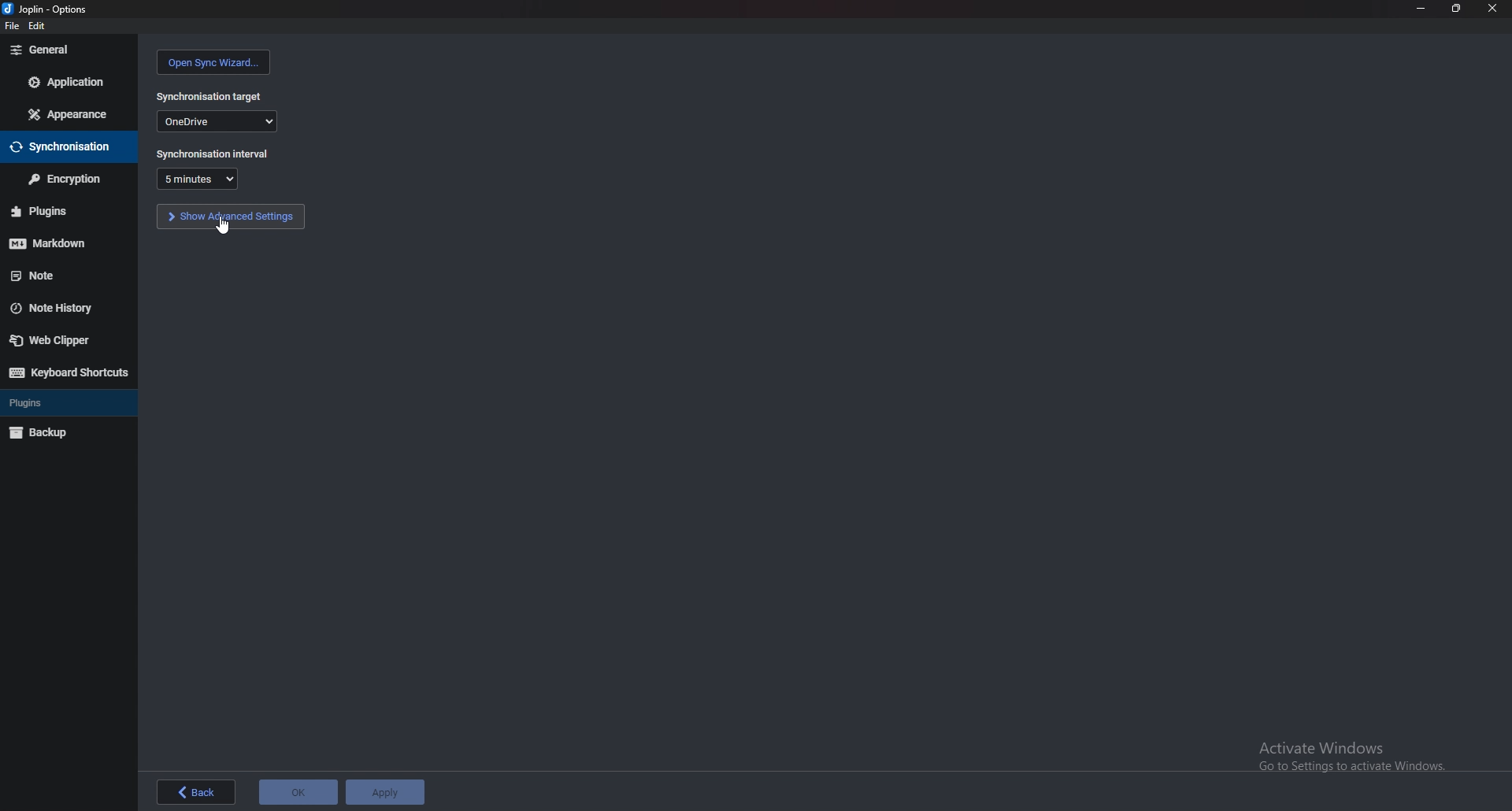 The image size is (1512, 811). Describe the element at coordinates (214, 154) in the screenshot. I see `sync interval` at that location.